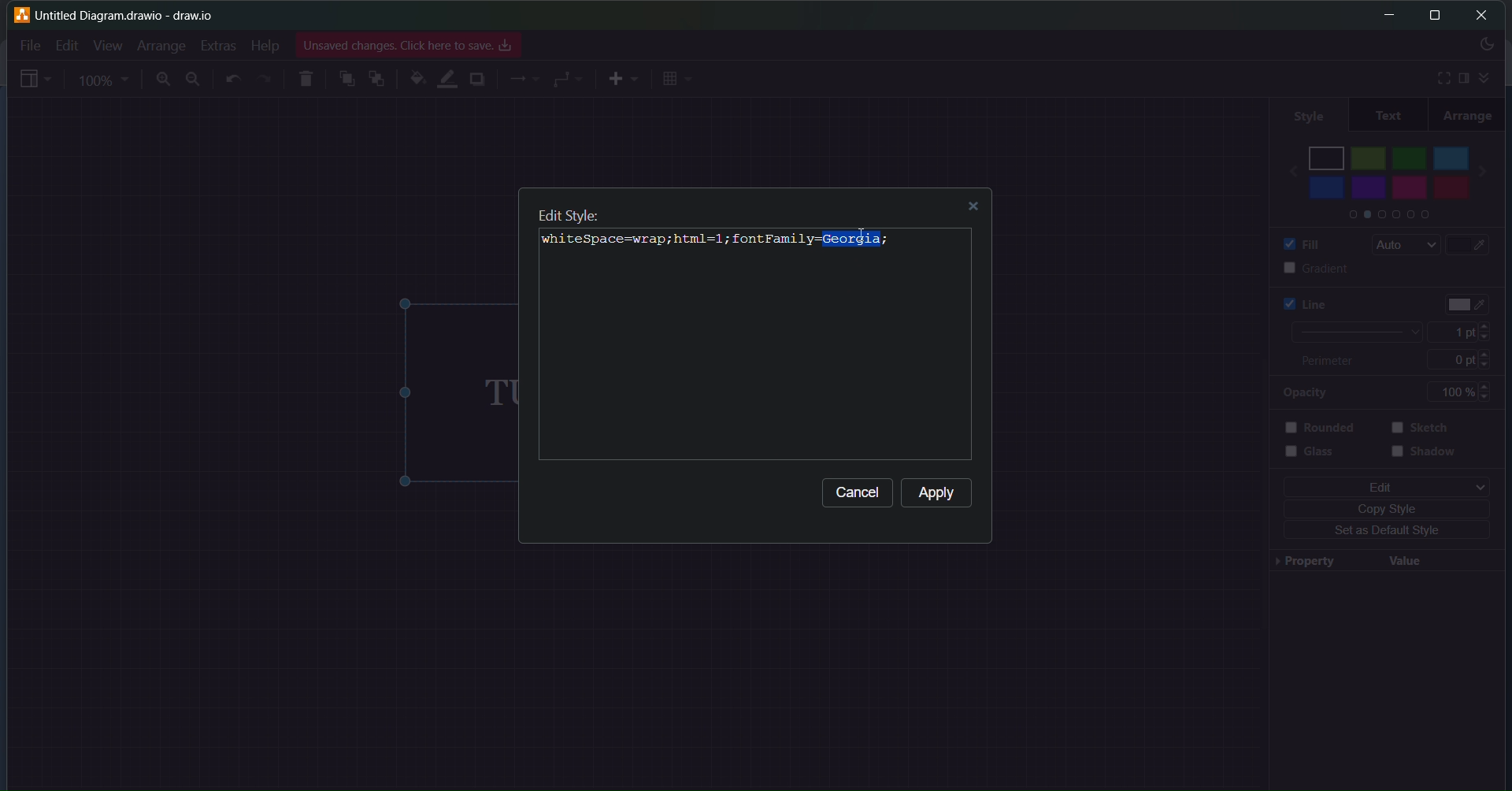 The height and width of the screenshot is (791, 1512). Describe the element at coordinates (1320, 458) in the screenshot. I see `glass` at that location.